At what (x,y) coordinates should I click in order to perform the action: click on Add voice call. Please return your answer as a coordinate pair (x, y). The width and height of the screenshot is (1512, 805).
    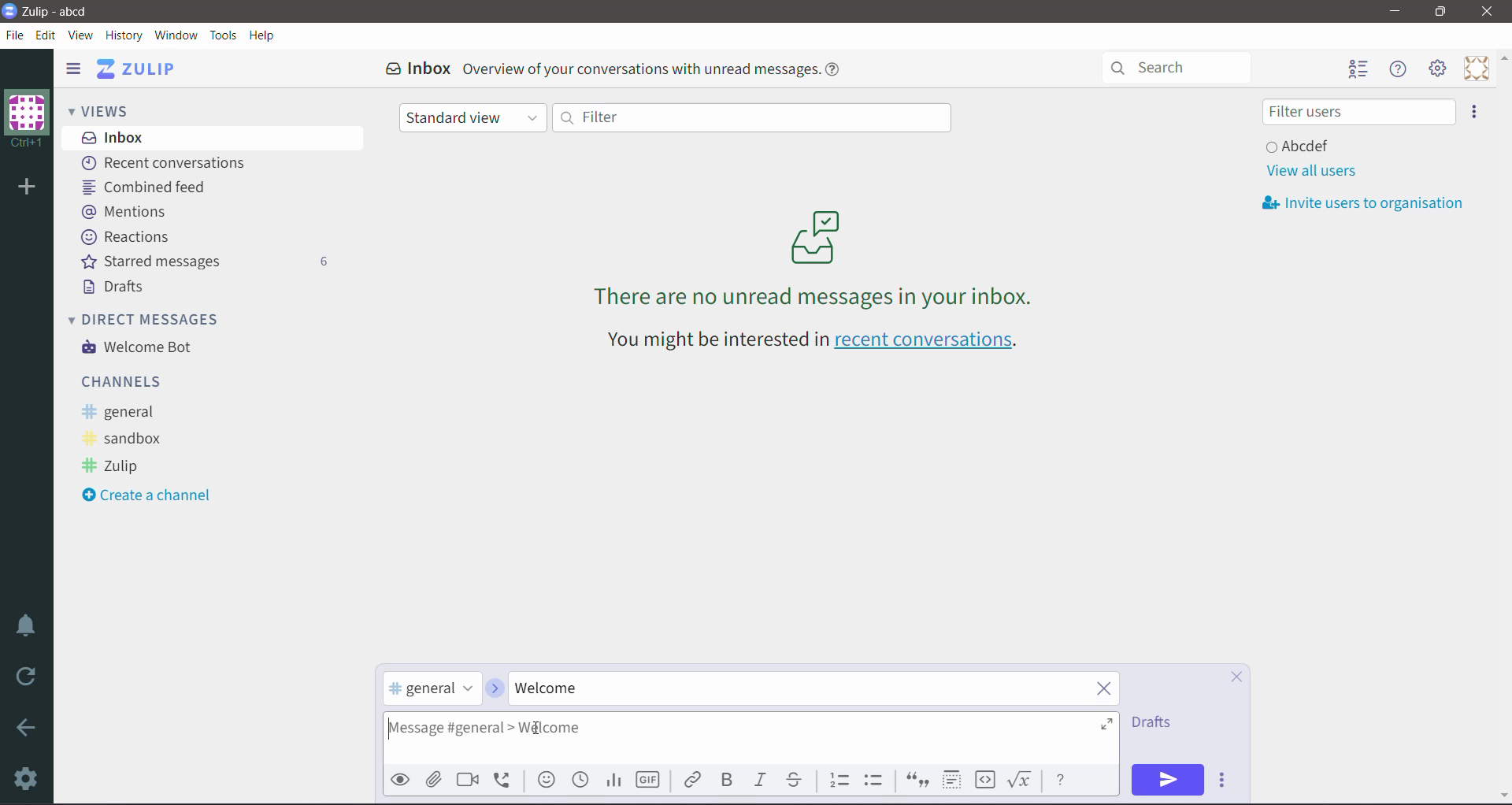
    Looking at the image, I should click on (507, 779).